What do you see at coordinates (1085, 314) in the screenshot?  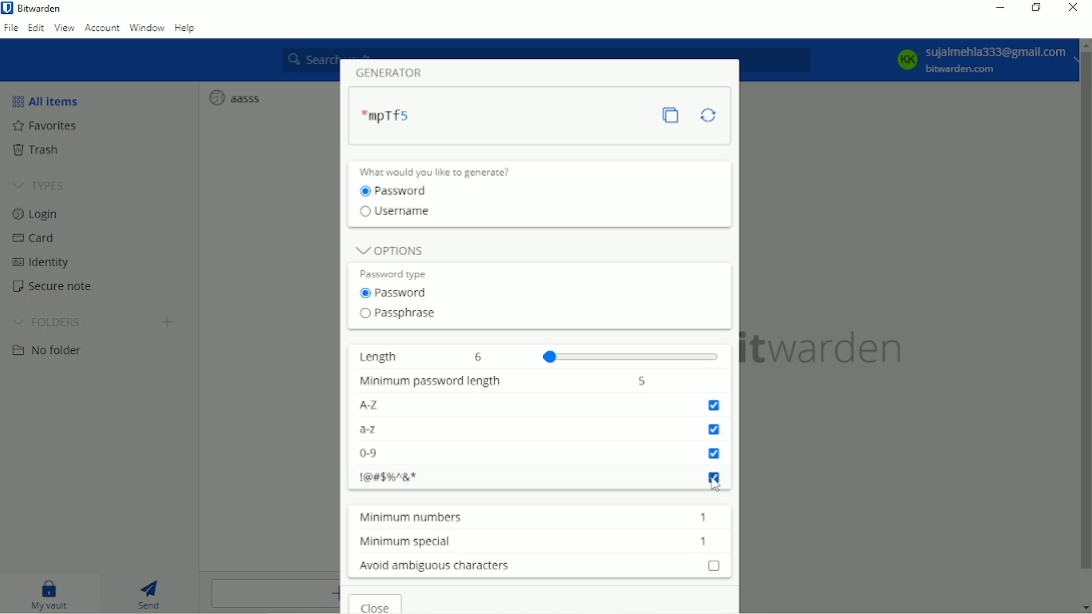 I see `Vertical scrollbar` at bounding box center [1085, 314].